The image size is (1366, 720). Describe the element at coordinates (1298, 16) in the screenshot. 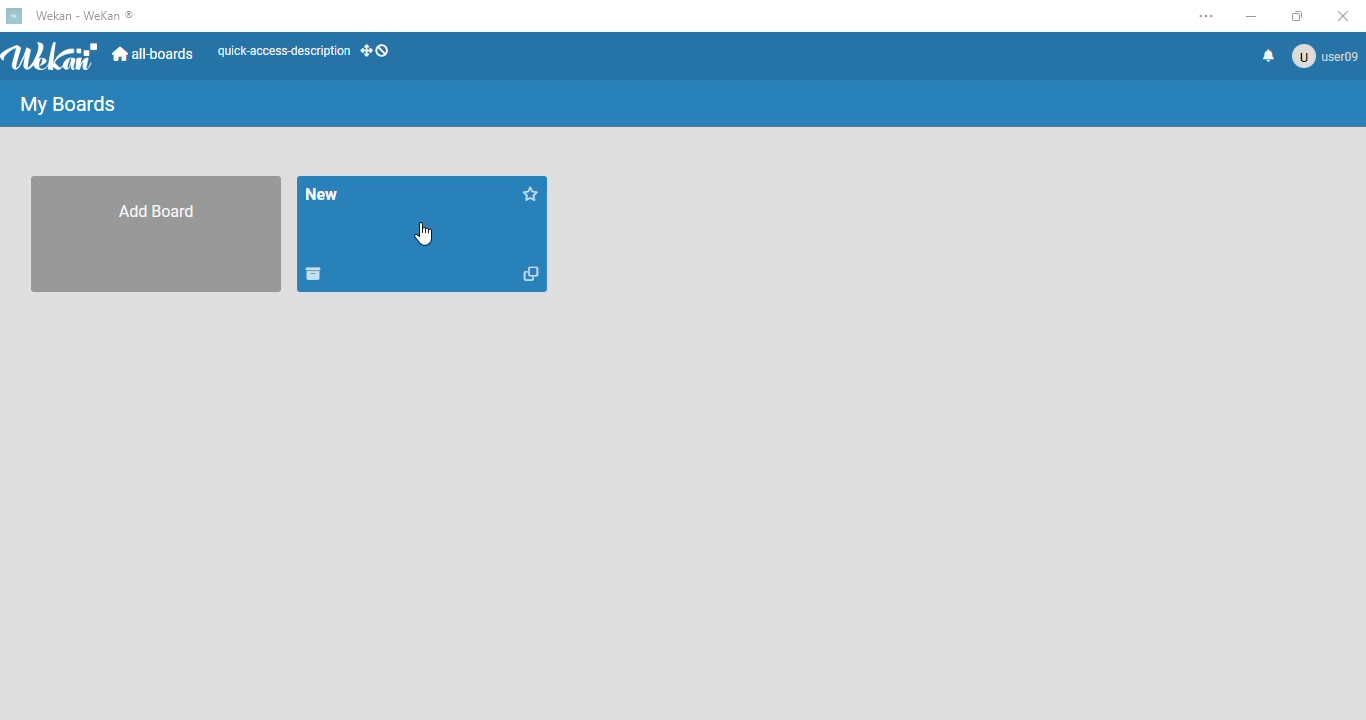

I see `maximize` at that location.